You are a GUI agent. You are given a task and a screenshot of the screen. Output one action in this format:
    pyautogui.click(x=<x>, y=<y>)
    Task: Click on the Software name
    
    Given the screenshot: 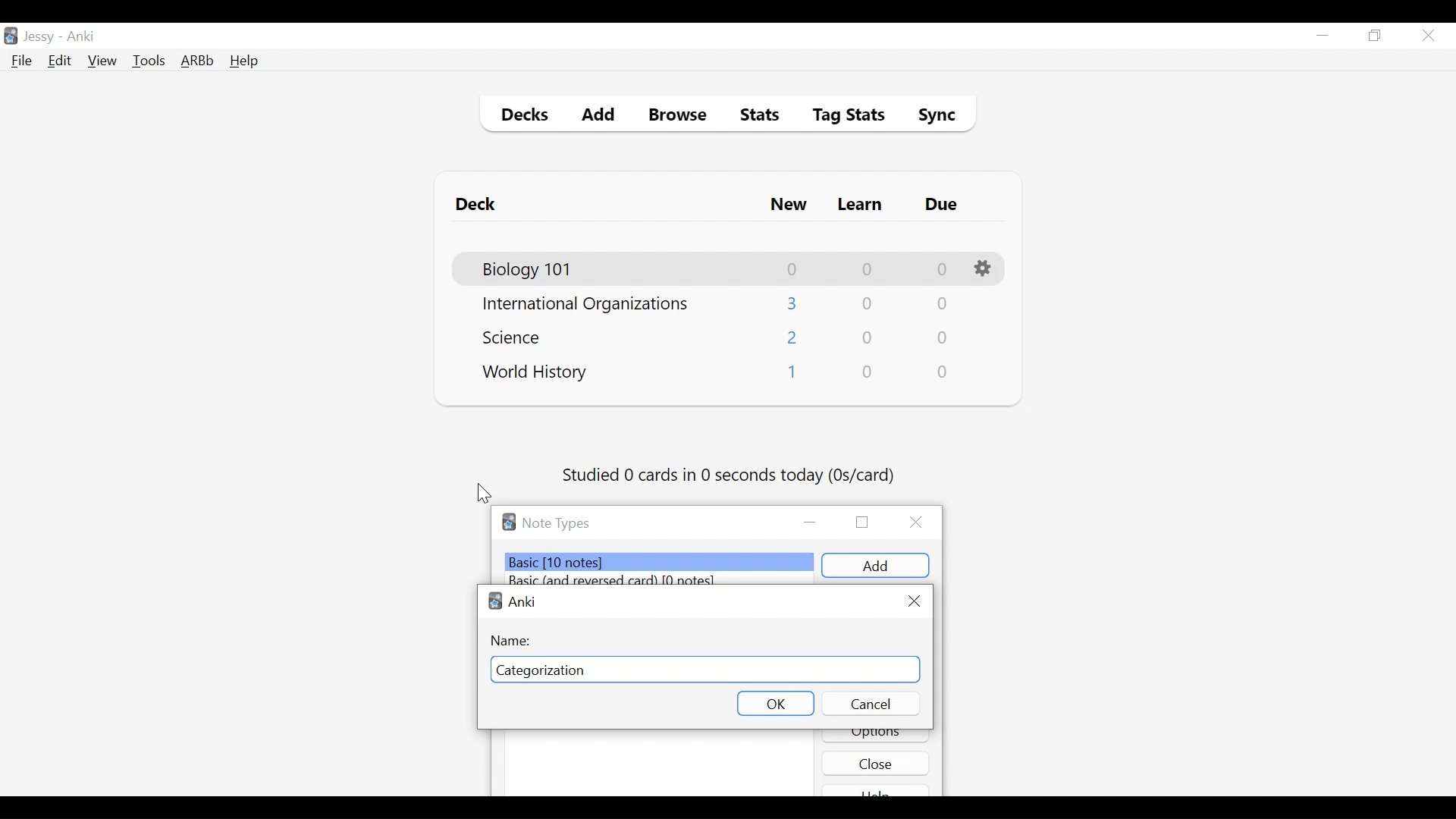 What is the action you would take?
    pyautogui.click(x=523, y=601)
    